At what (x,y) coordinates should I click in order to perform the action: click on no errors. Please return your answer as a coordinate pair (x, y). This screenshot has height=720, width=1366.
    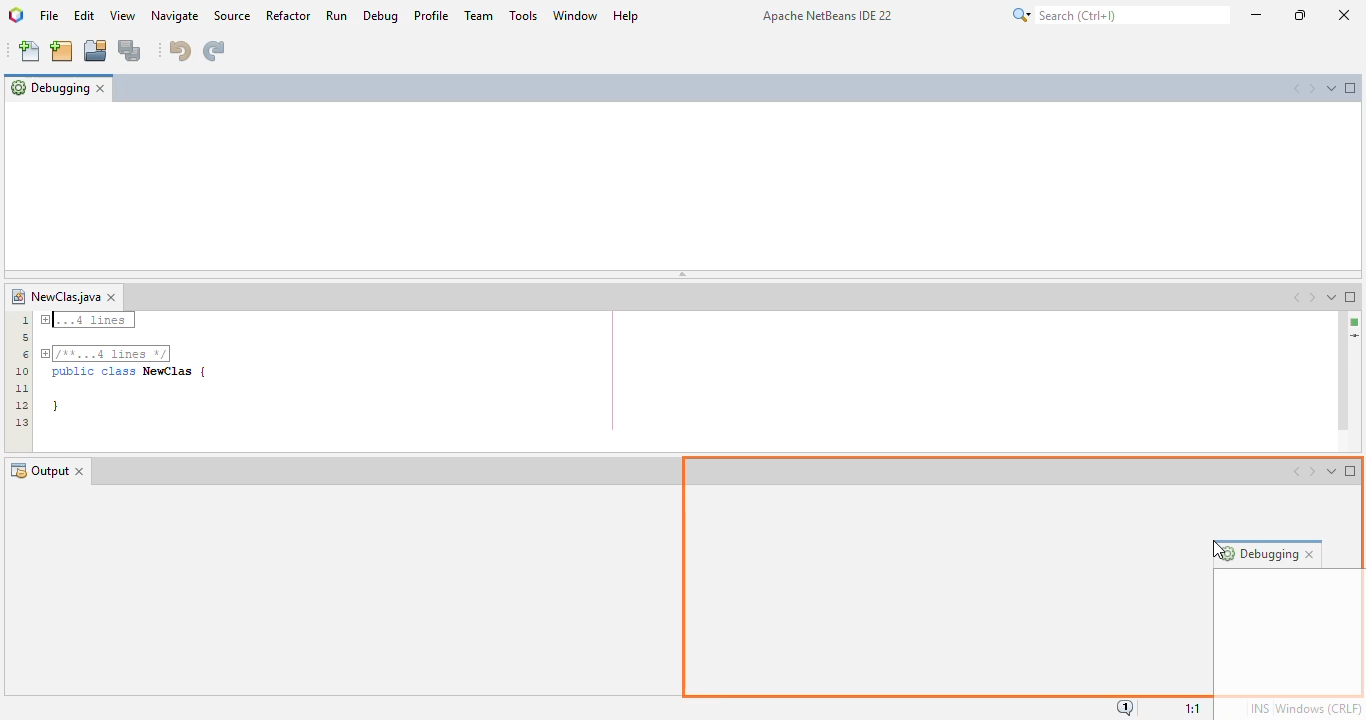
    Looking at the image, I should click on (1355, 322).